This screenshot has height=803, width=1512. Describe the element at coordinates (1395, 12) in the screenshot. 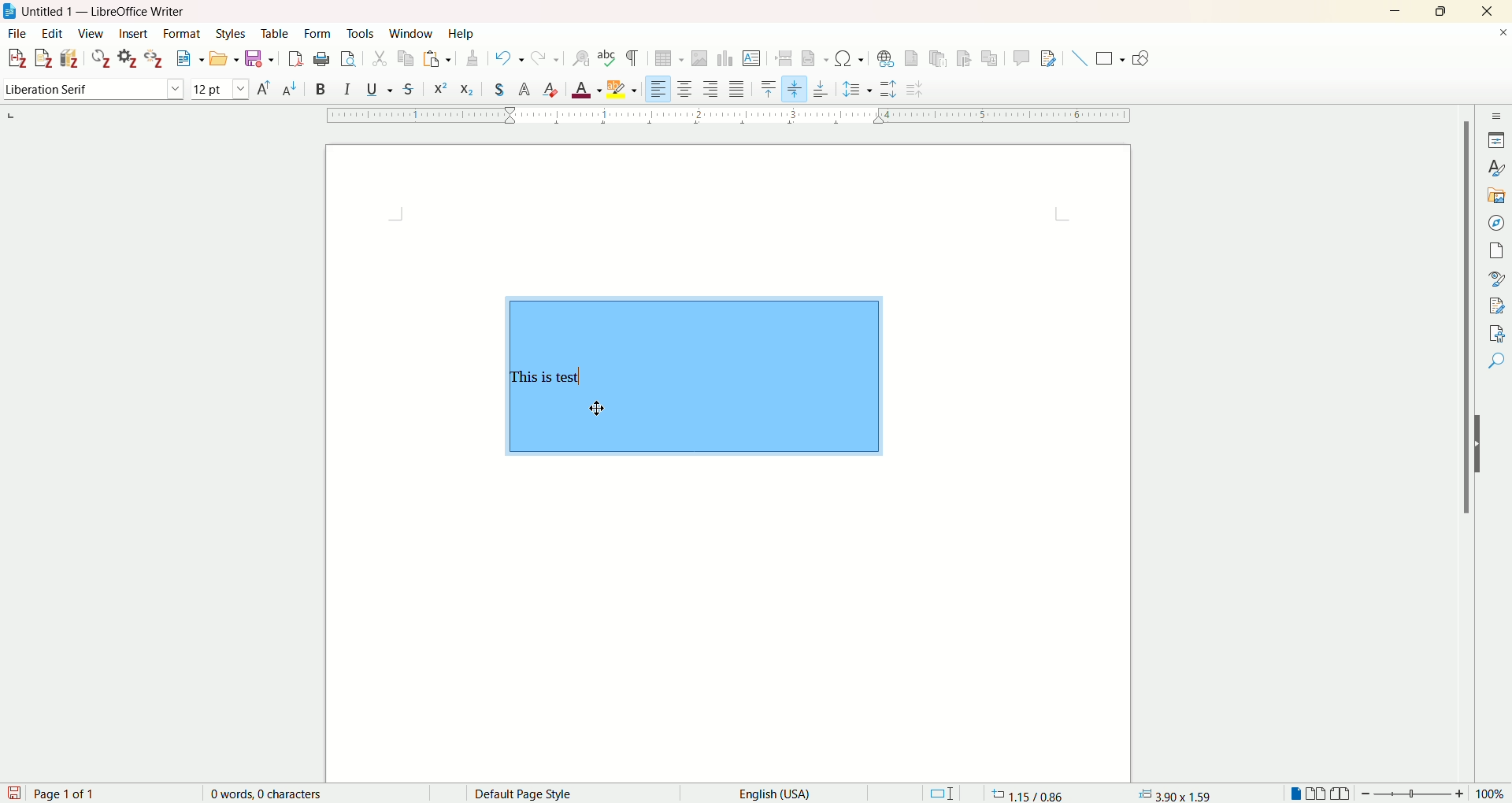

I see `minimize` at that location.